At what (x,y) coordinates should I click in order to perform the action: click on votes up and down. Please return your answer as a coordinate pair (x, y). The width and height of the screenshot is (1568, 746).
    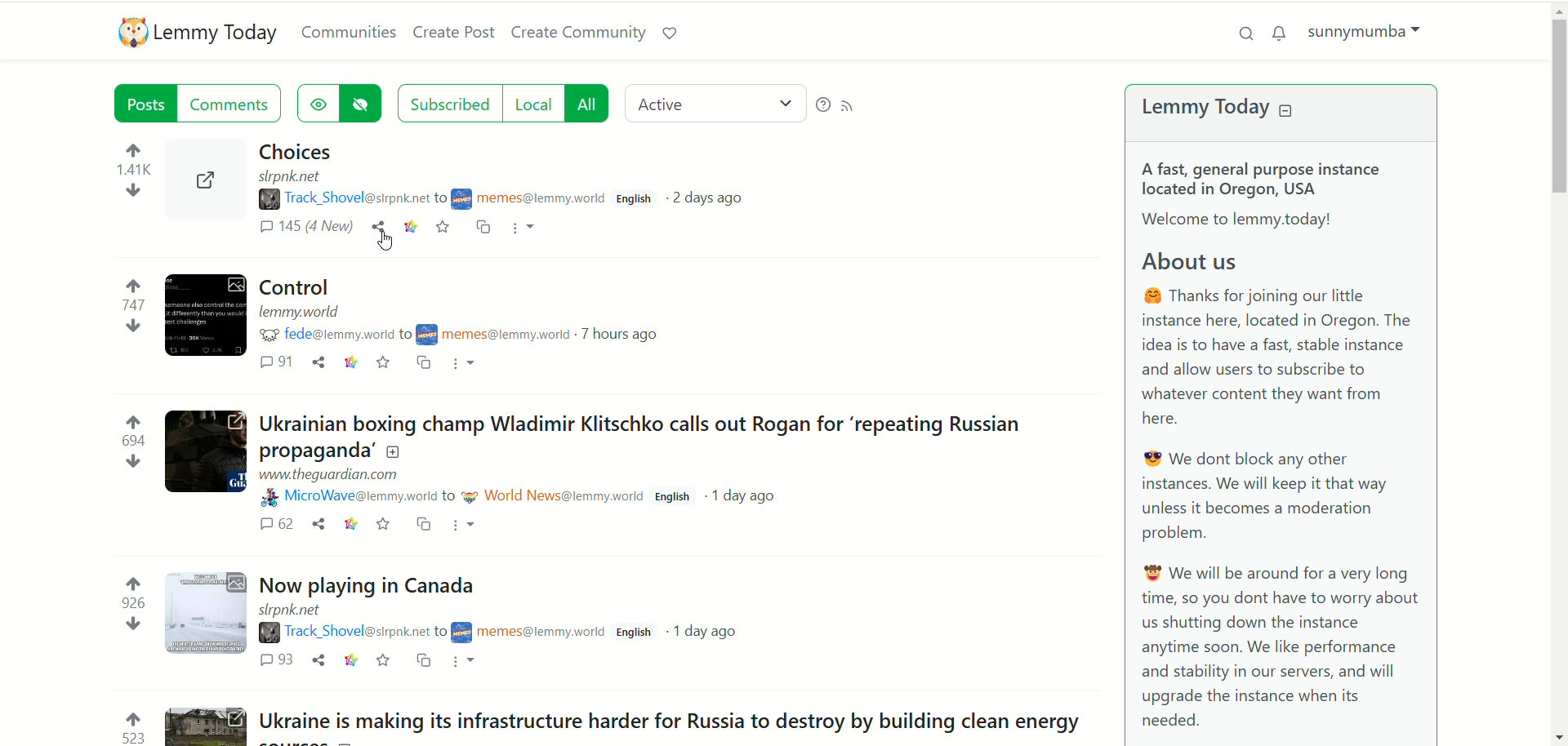
    Looking at the image, I should click on (127, 303).